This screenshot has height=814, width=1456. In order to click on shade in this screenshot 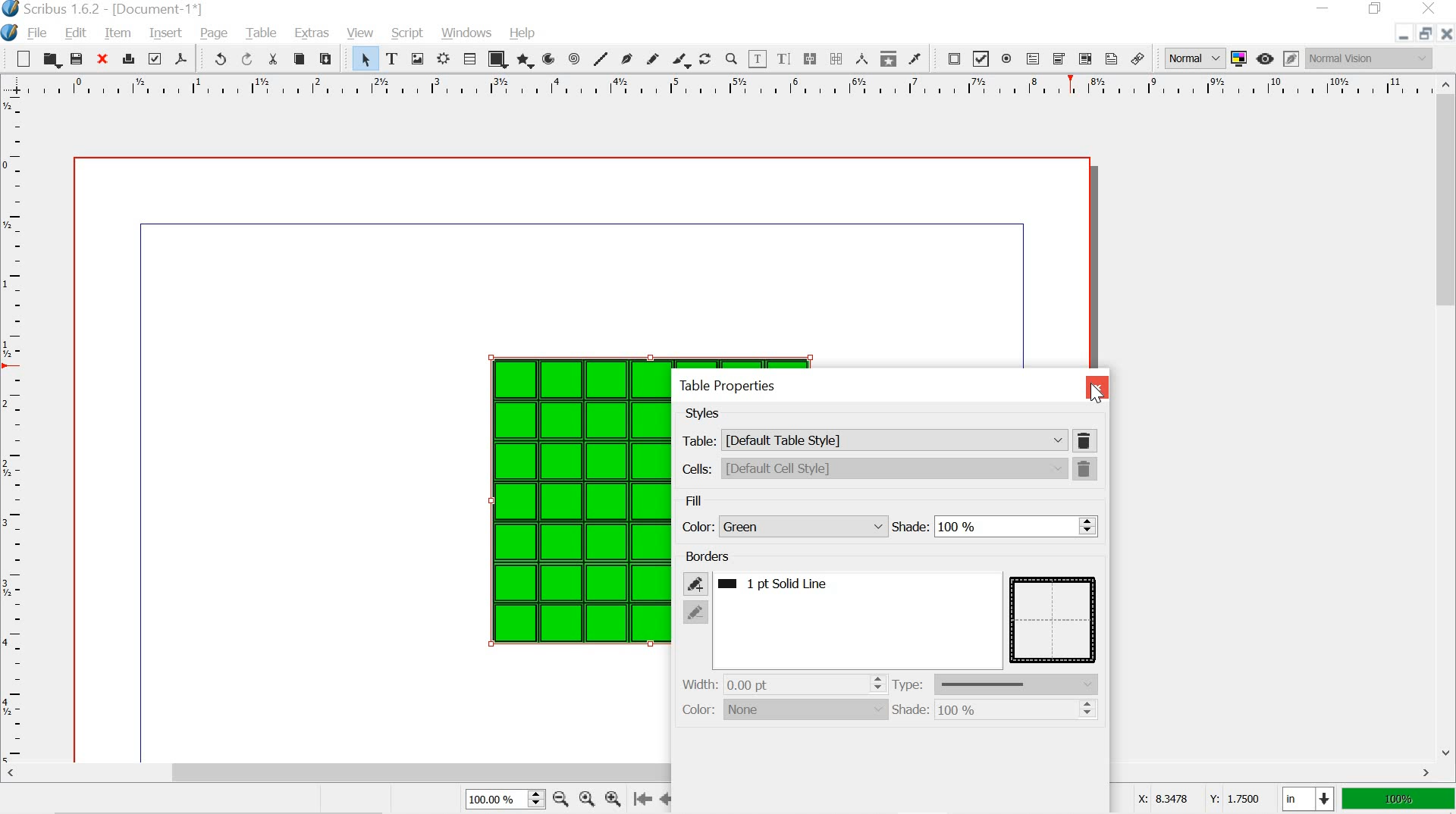, I will do `click(982, 528)`.